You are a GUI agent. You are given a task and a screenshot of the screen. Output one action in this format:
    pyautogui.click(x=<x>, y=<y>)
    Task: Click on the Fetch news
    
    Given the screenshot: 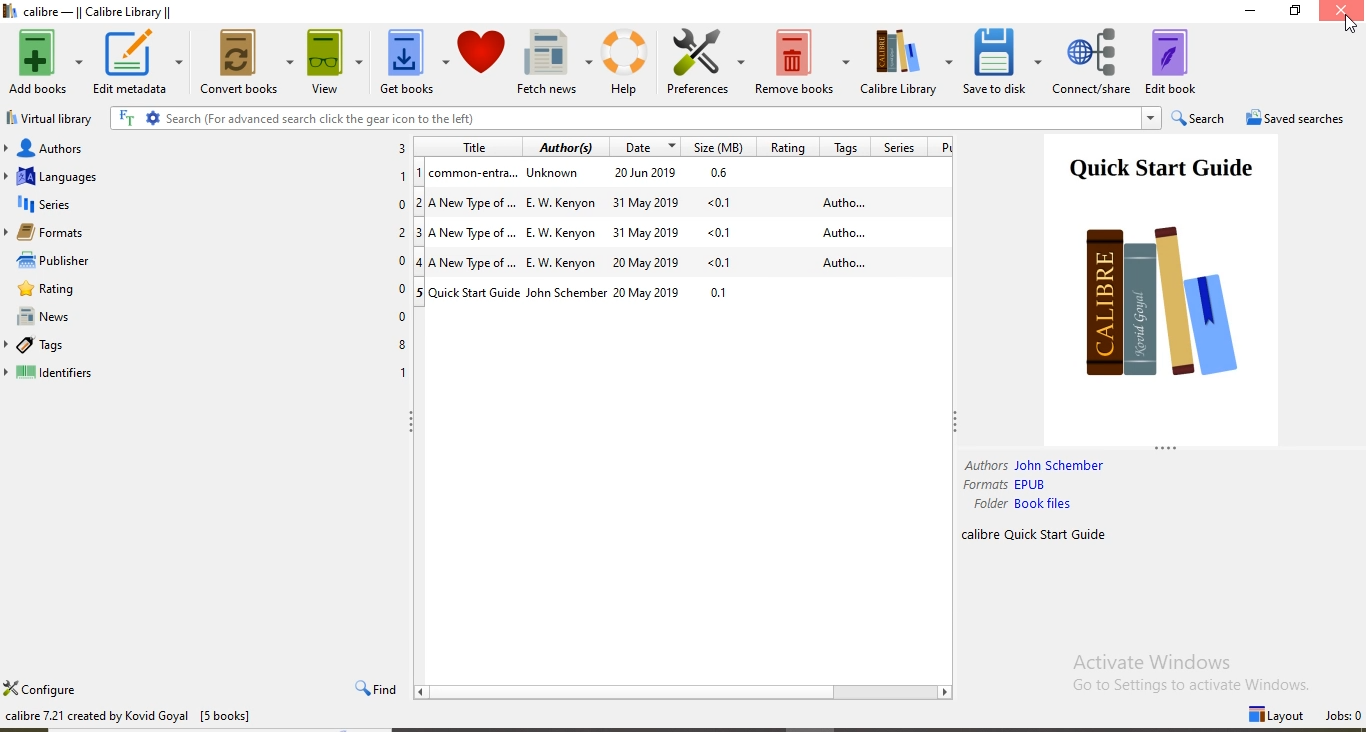 What is the action you would take?
    pyautogui.click(x=555, y=63)
    